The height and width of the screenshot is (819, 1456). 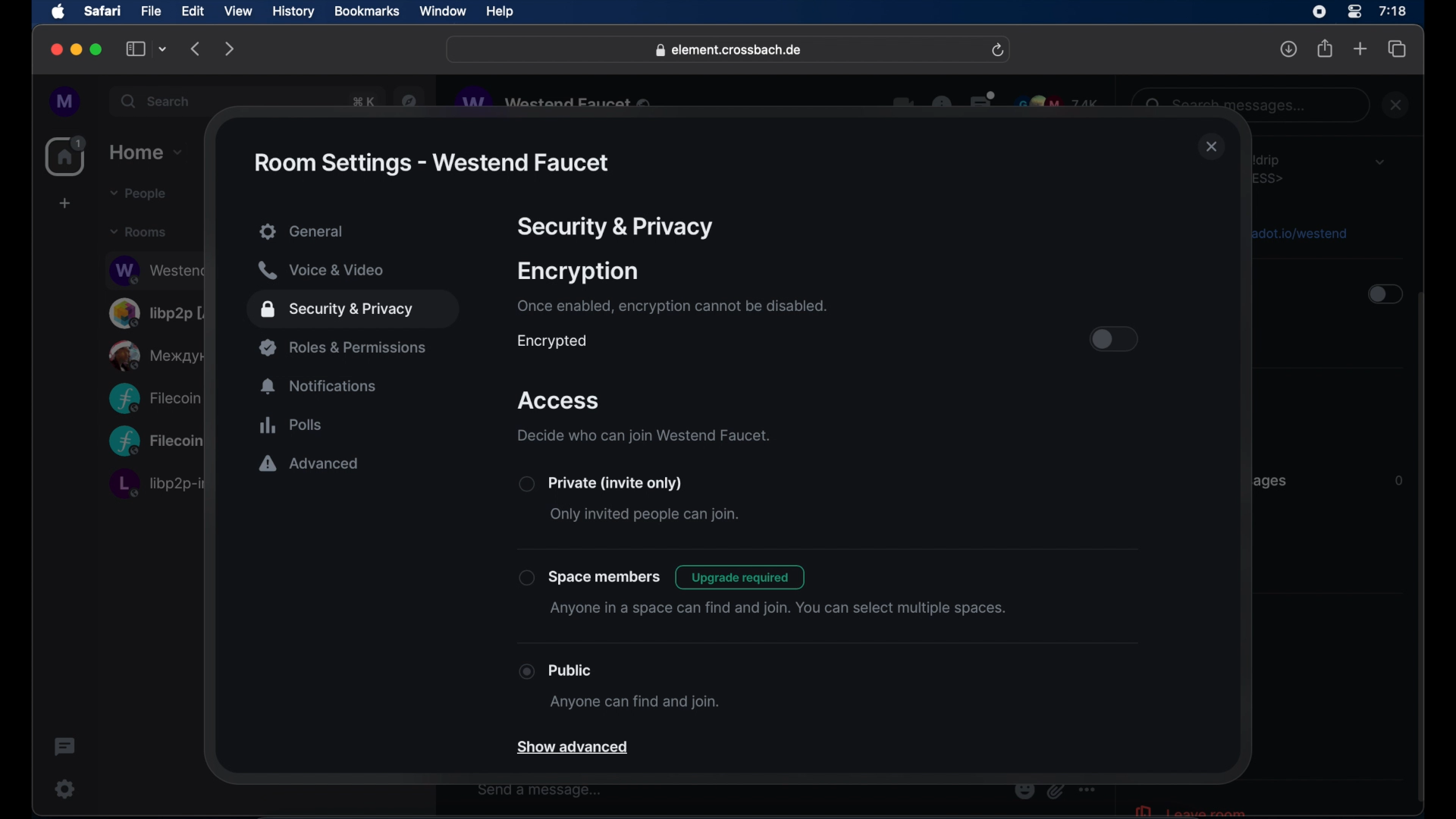 What do you see at coordinates (146, 152) in the screenshot?
I see `home dropdown` at bounding box center [146, 152].